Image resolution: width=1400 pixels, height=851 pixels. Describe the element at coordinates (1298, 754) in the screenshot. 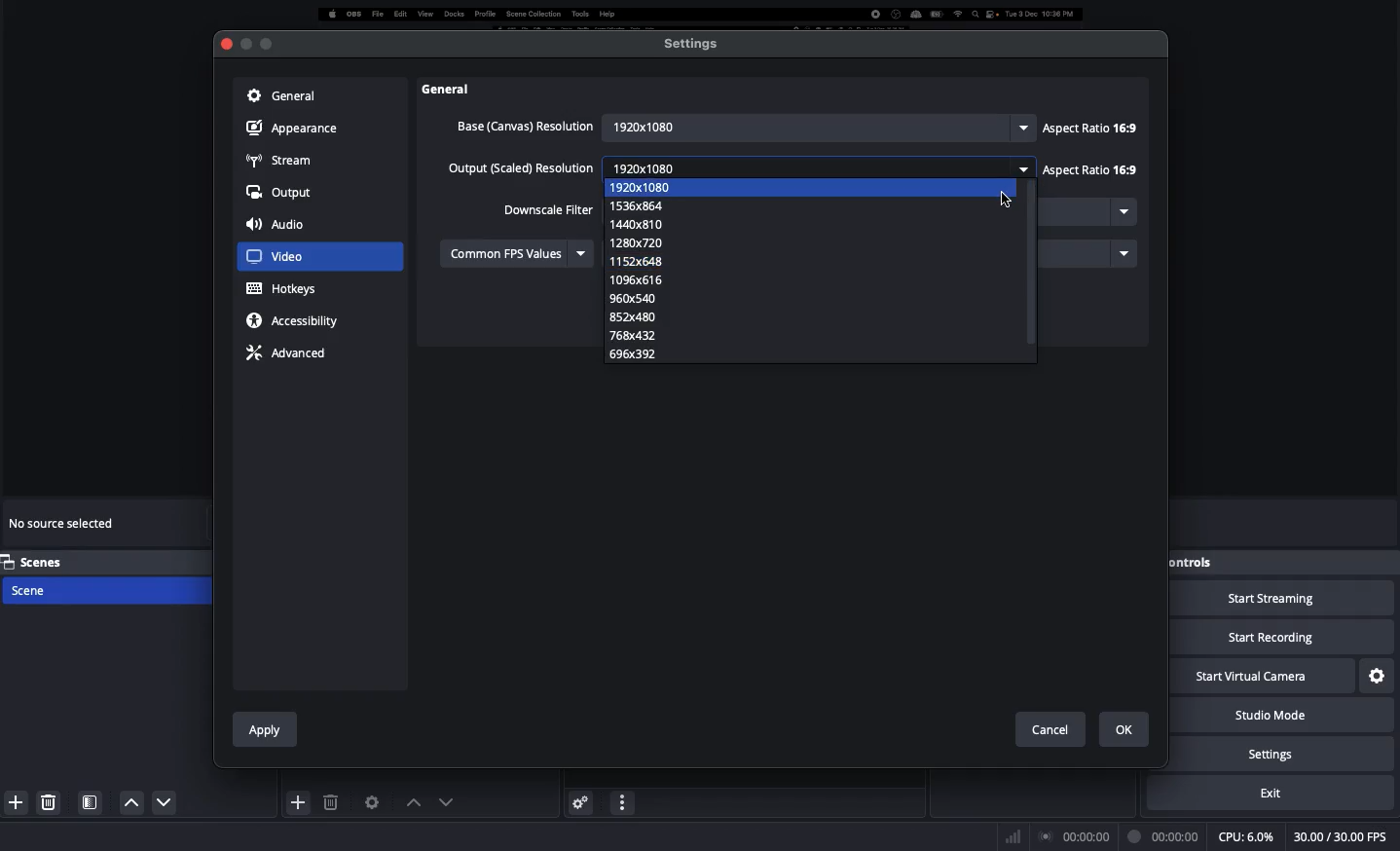

I see `Settings` at that location.